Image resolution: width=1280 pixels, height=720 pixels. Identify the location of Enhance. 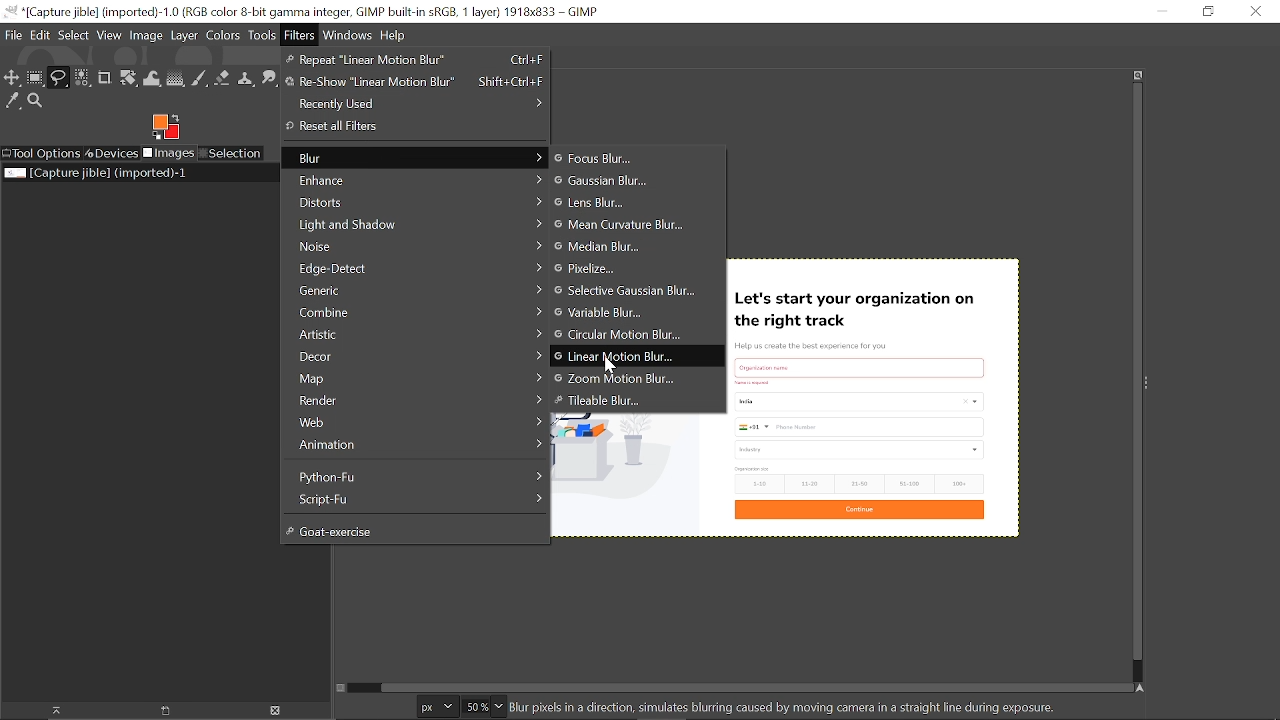
(416, 179).